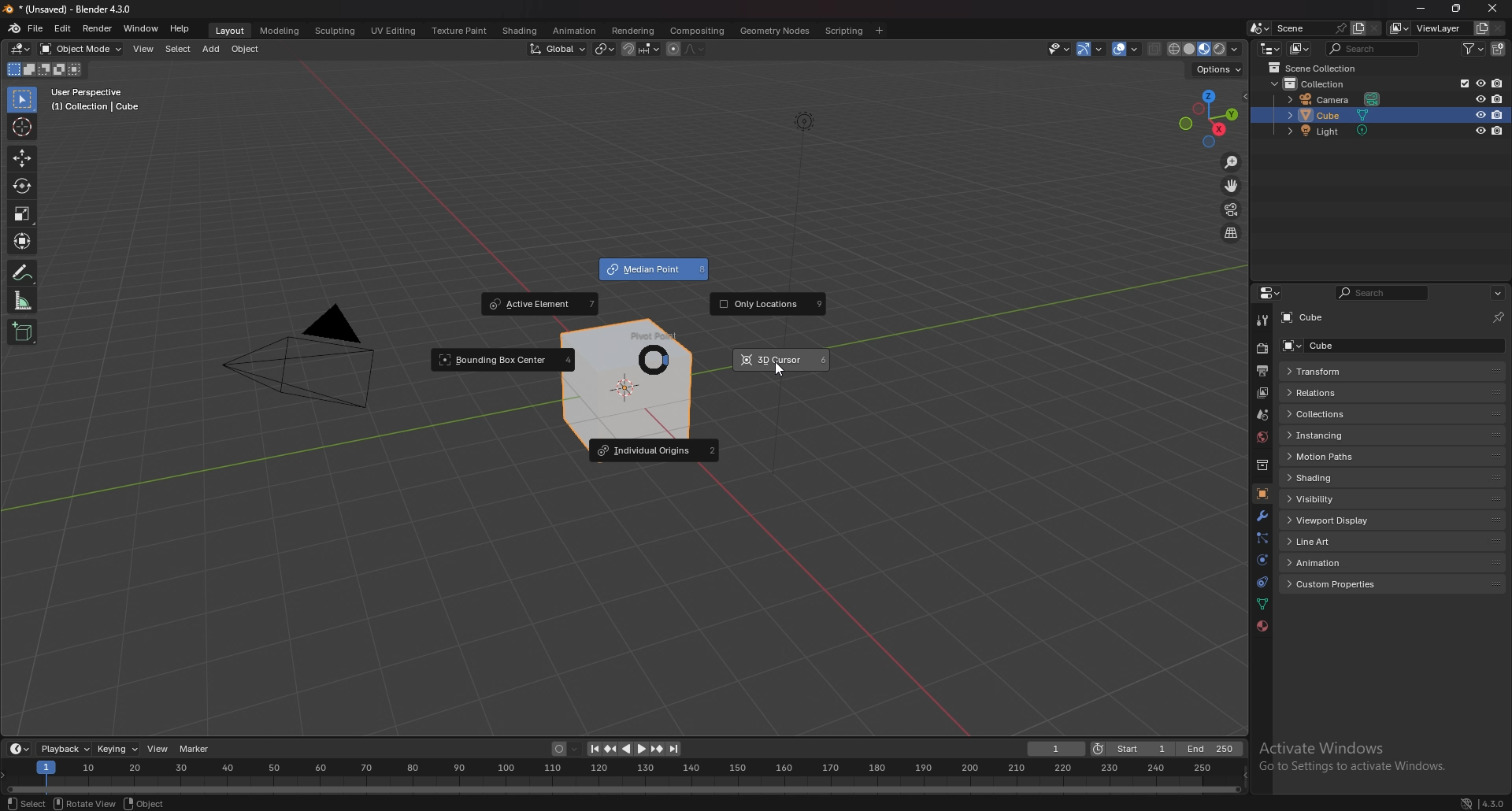 The image size is (1512, 811). I want to click on bounding box center, so click(502, 361).